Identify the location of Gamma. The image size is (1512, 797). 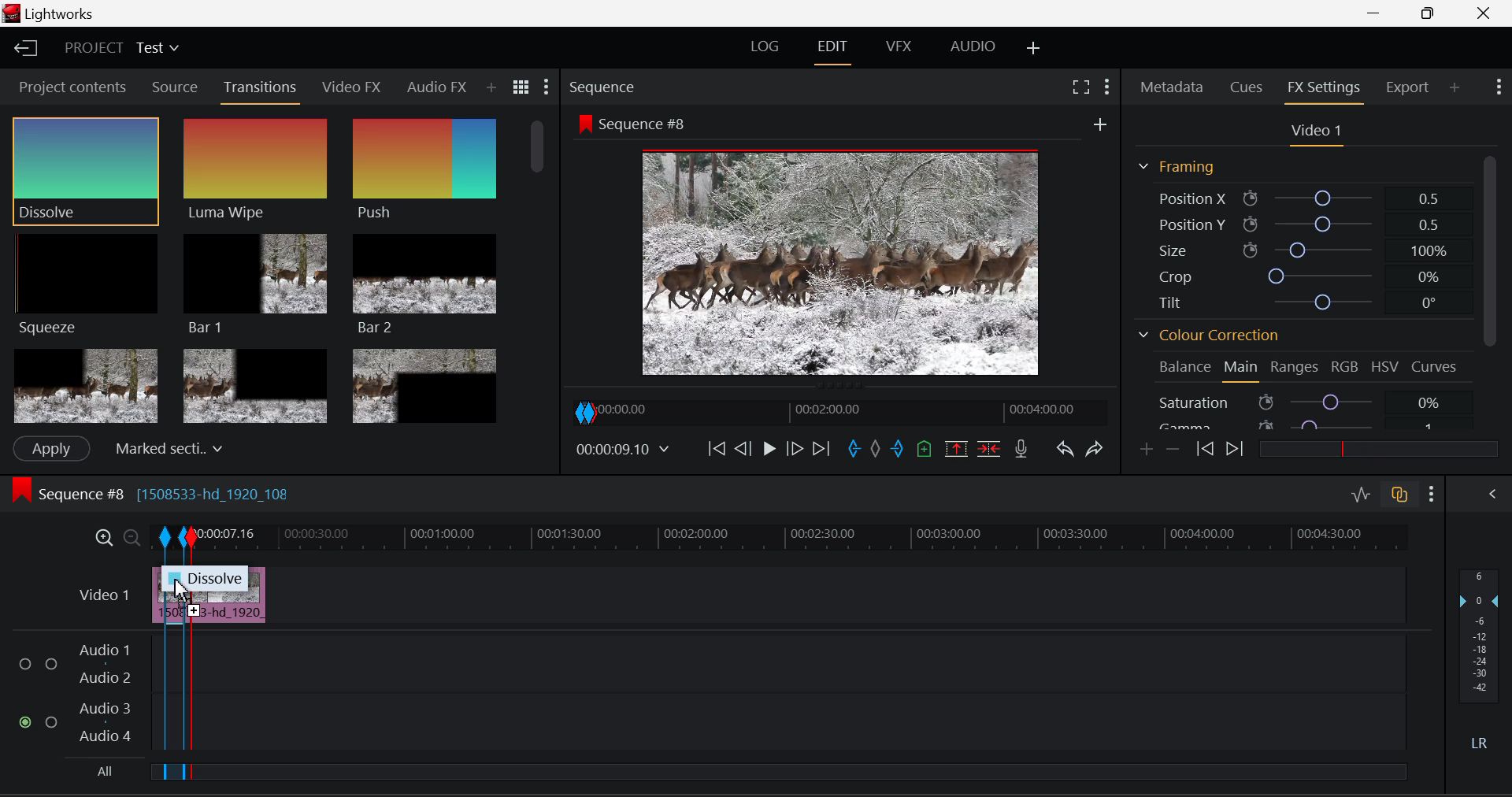
(1303, 425).